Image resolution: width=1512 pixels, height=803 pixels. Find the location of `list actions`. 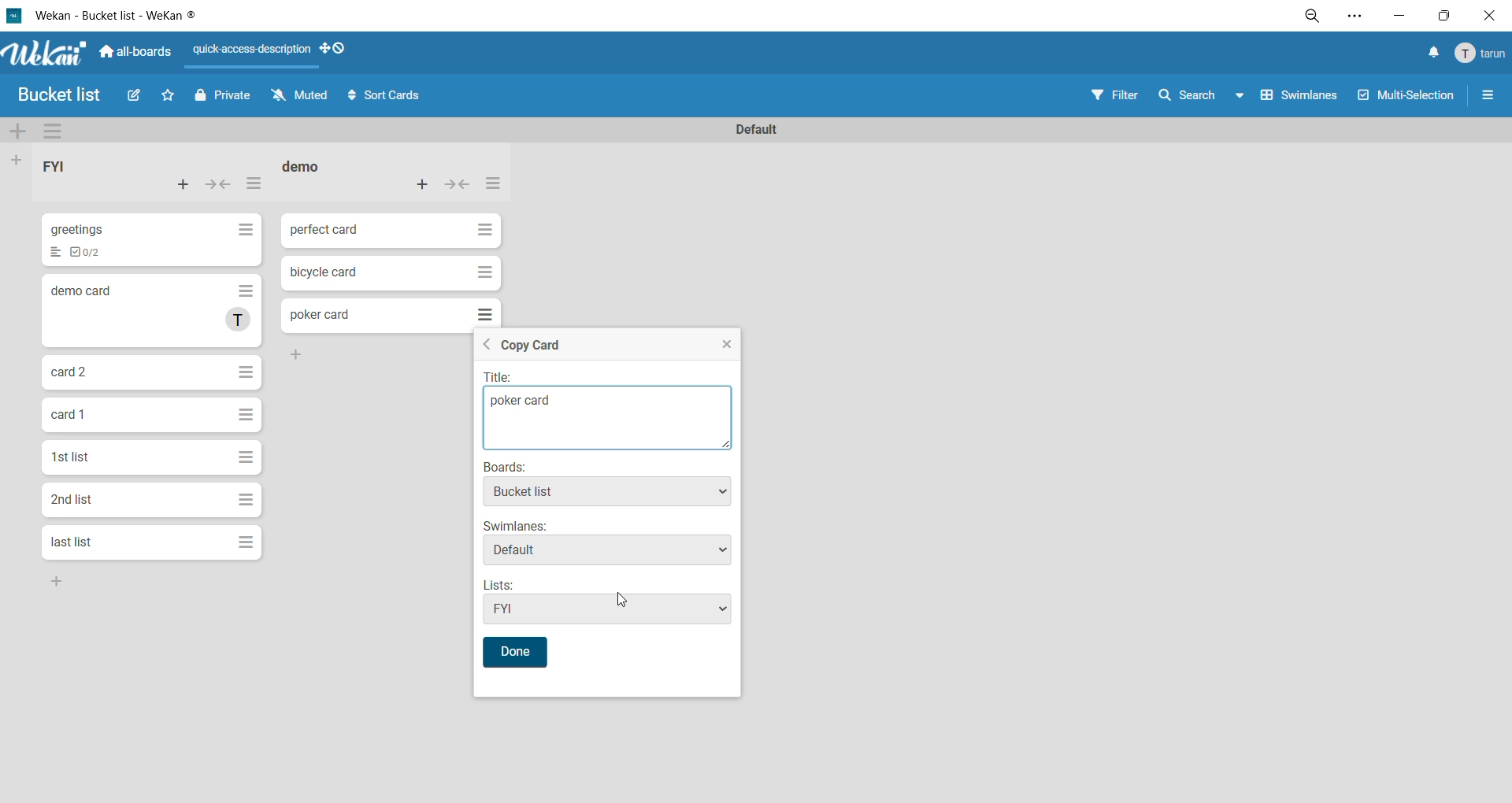

list actions is located at coordinates (491, 185).